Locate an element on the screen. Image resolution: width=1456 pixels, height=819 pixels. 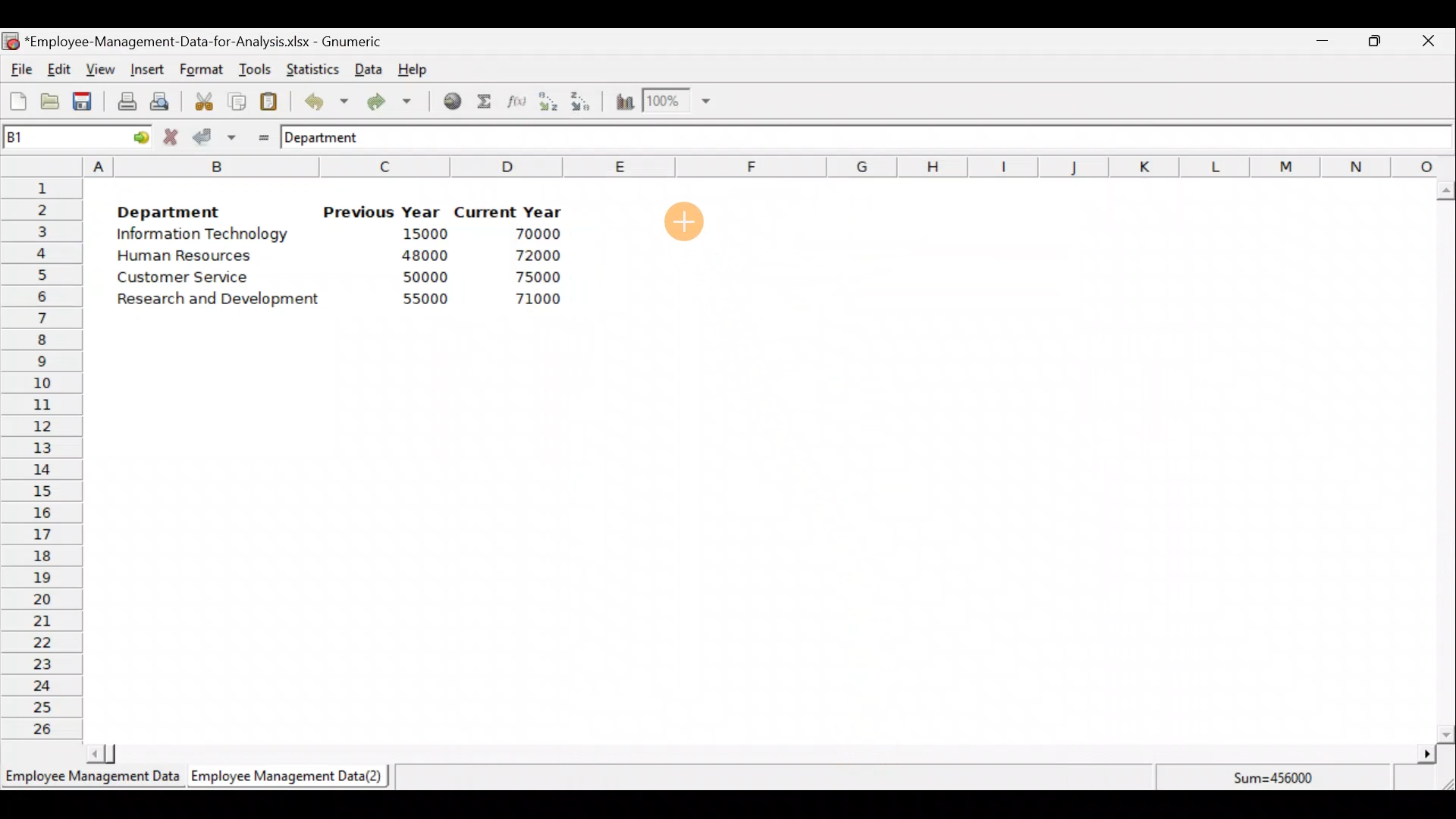
Print preview is located at coordinates (159, 99).